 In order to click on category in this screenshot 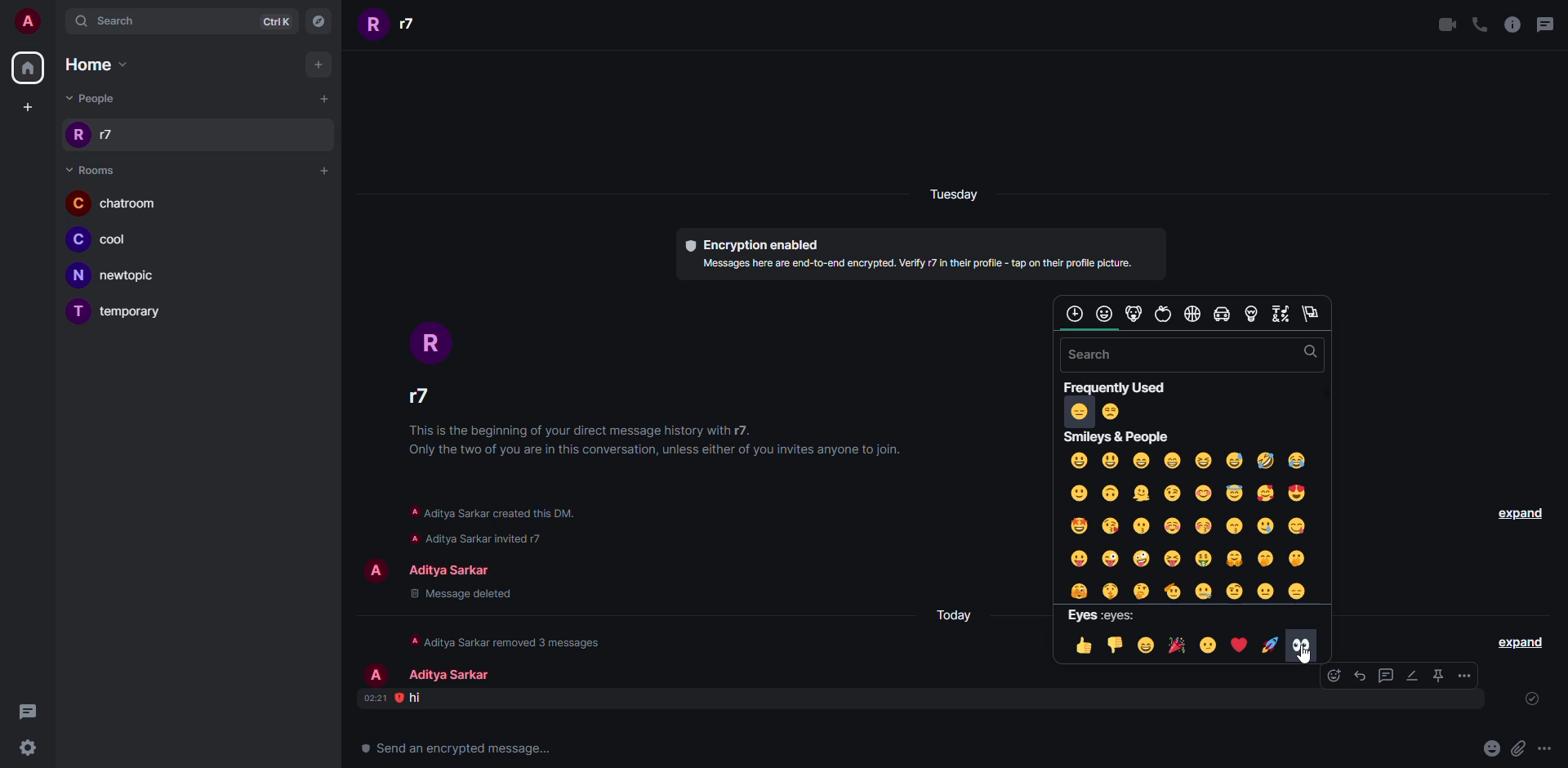, I will do `click(1311, 314)`.